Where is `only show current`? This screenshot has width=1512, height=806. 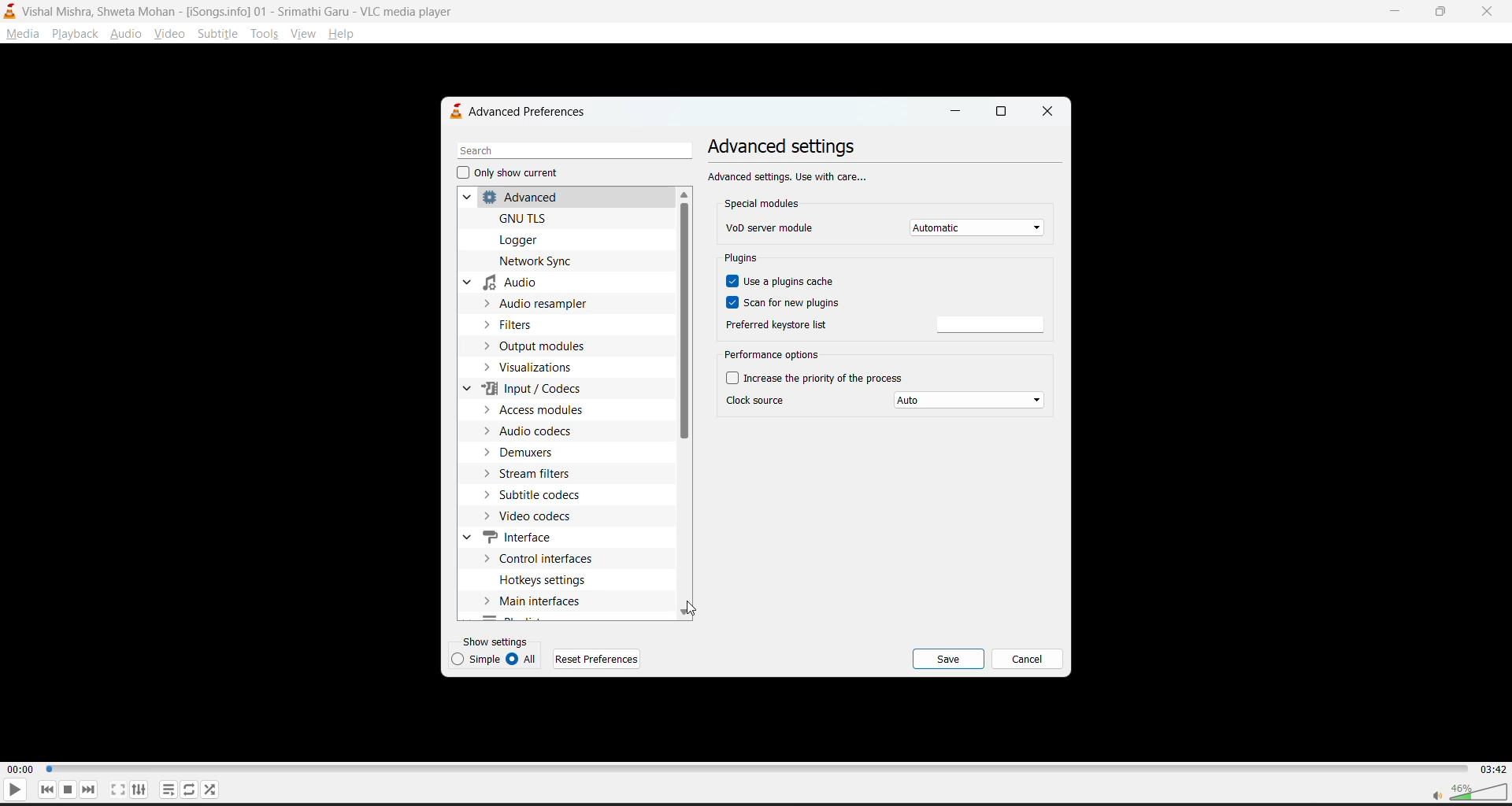 only show current is located at coordinates (512, 176).